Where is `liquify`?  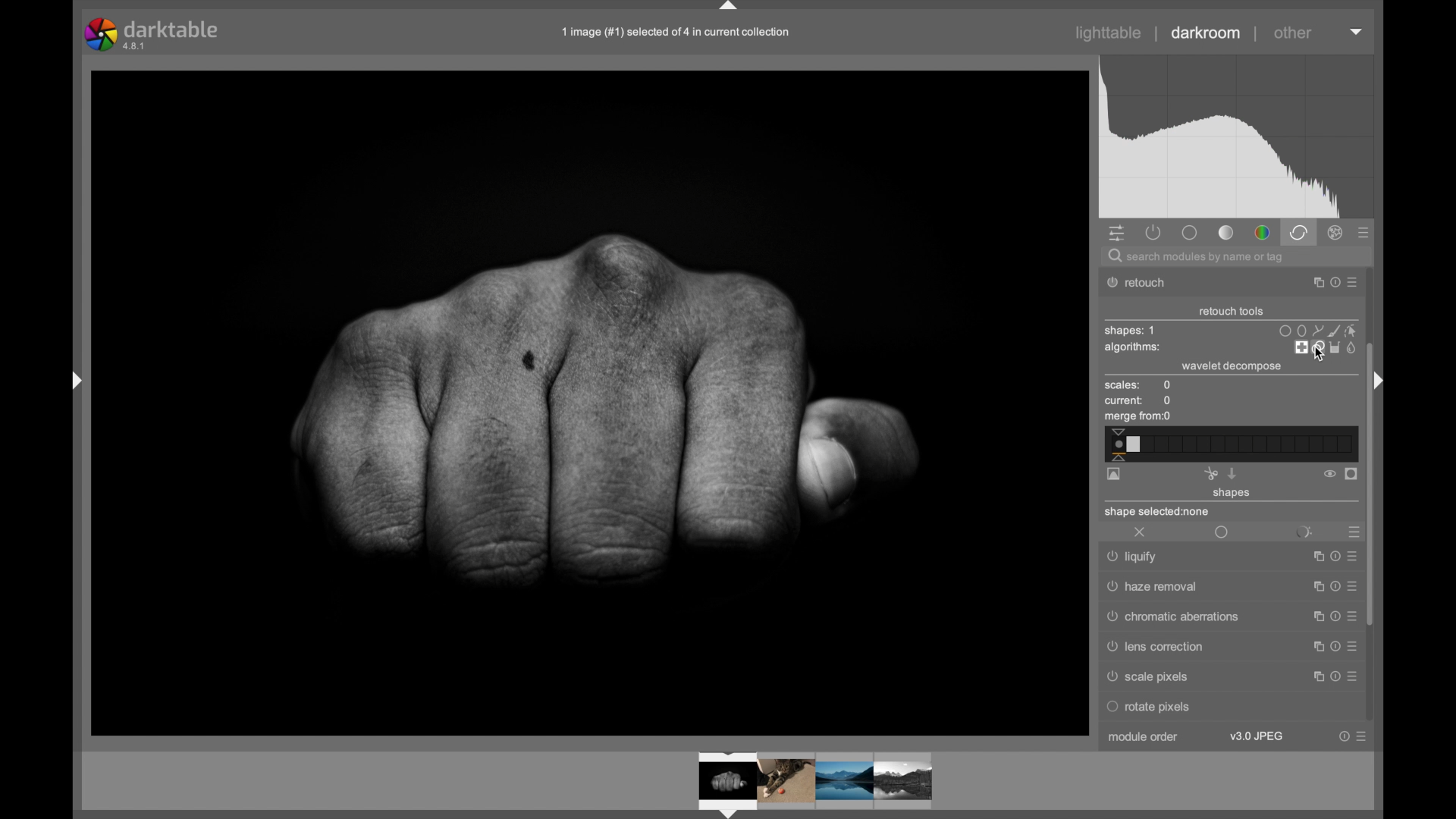 liquify is located at coordinates (1134, 558).